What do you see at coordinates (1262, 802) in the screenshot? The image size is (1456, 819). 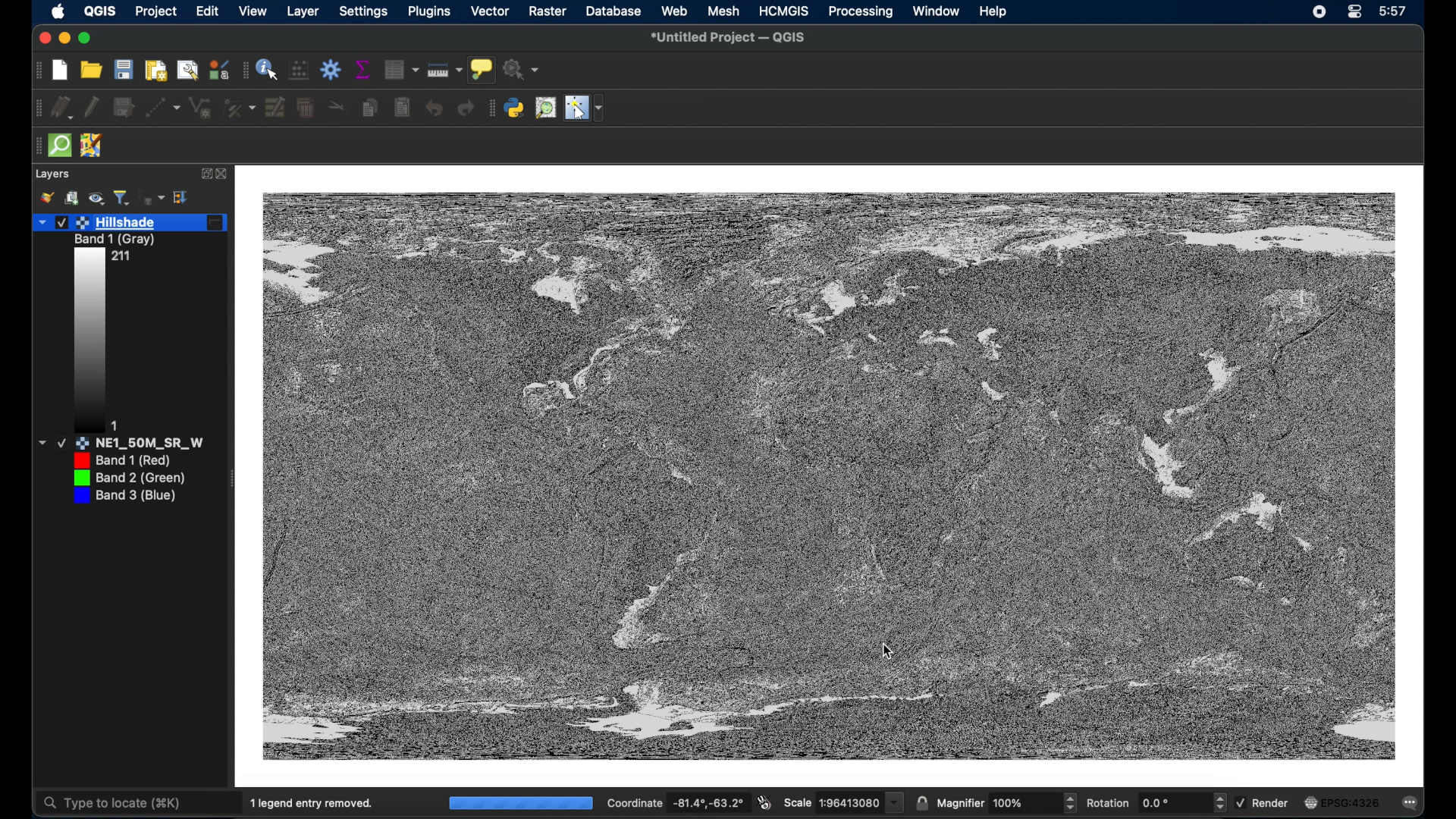 I see `render` at bounding box center [1262, 802].